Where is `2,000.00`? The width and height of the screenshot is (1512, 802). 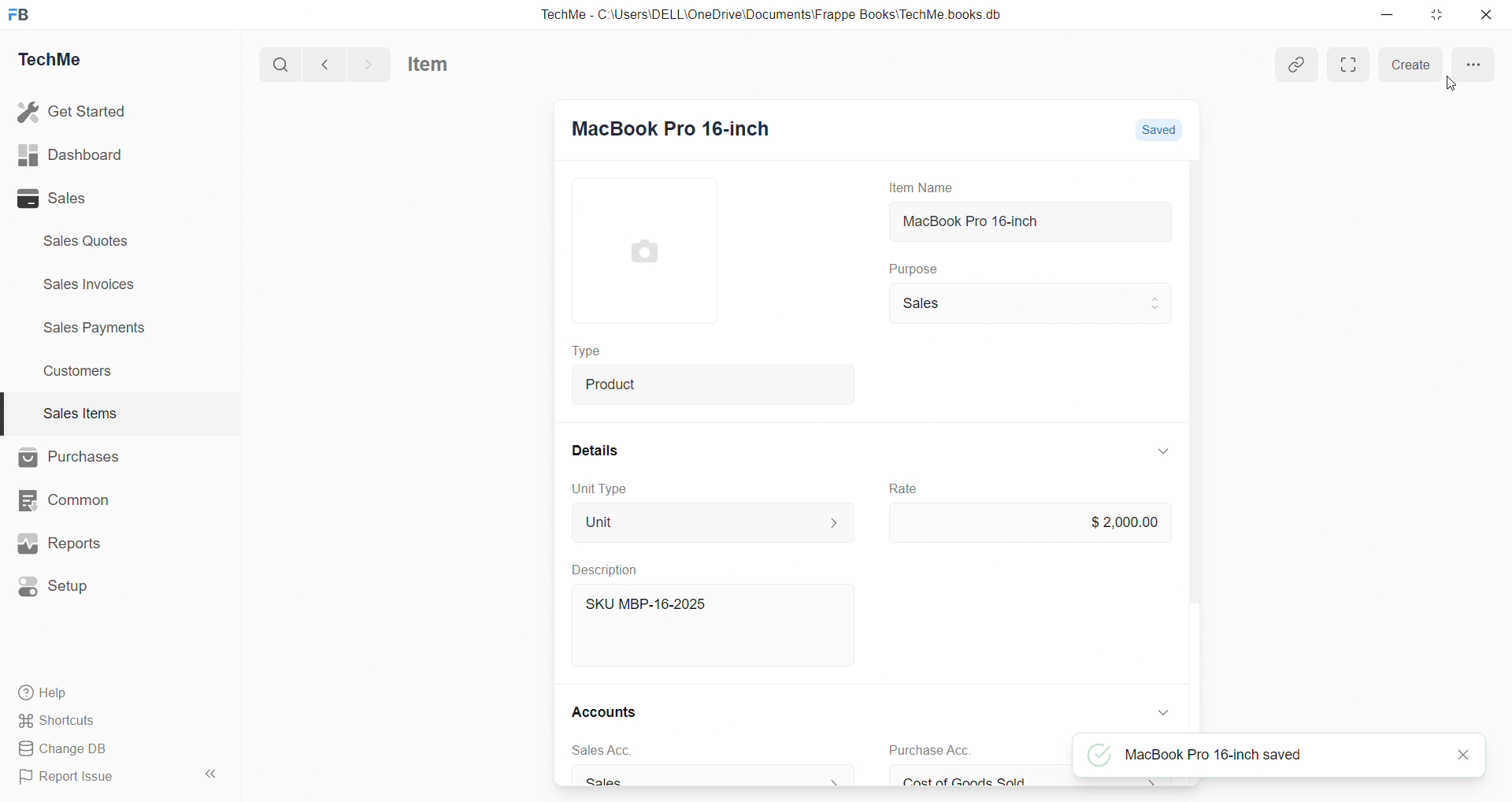 2,000.00 is located at coordinates (1028, 524).